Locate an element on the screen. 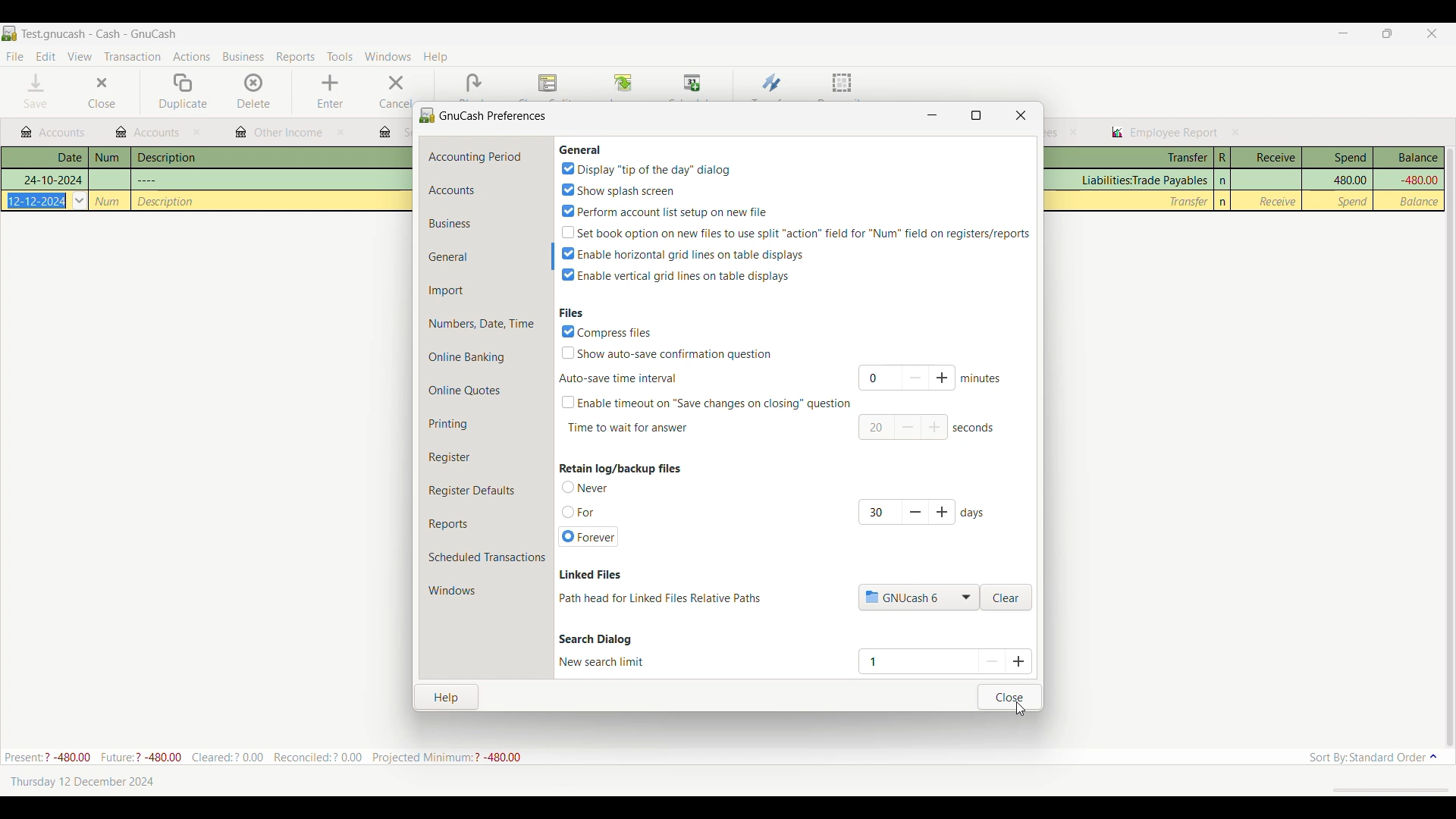  Balance column is located at coordinates (1409, 158).